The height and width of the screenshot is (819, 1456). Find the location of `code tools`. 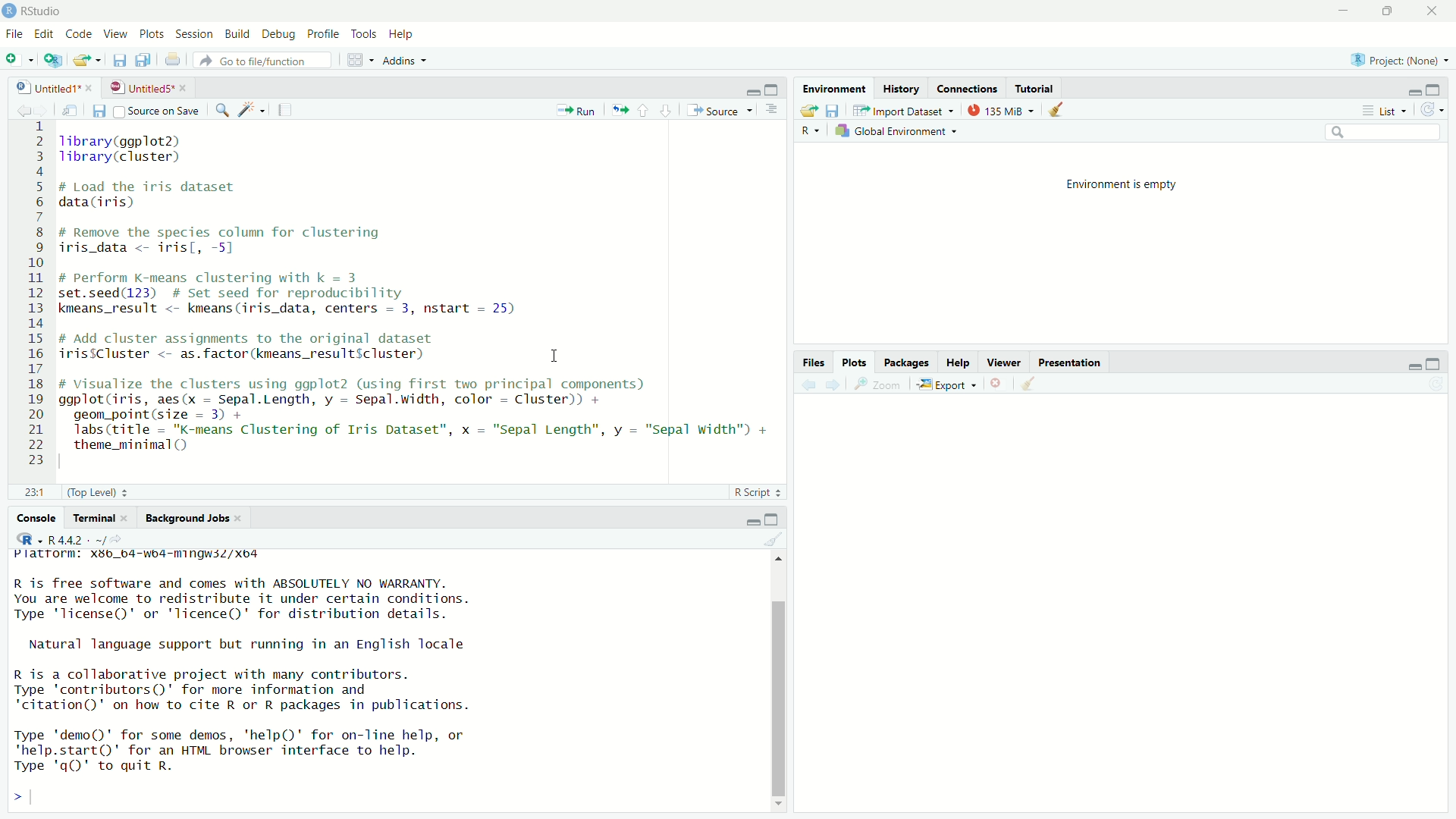

code tools is located at coordinates (250, 110).